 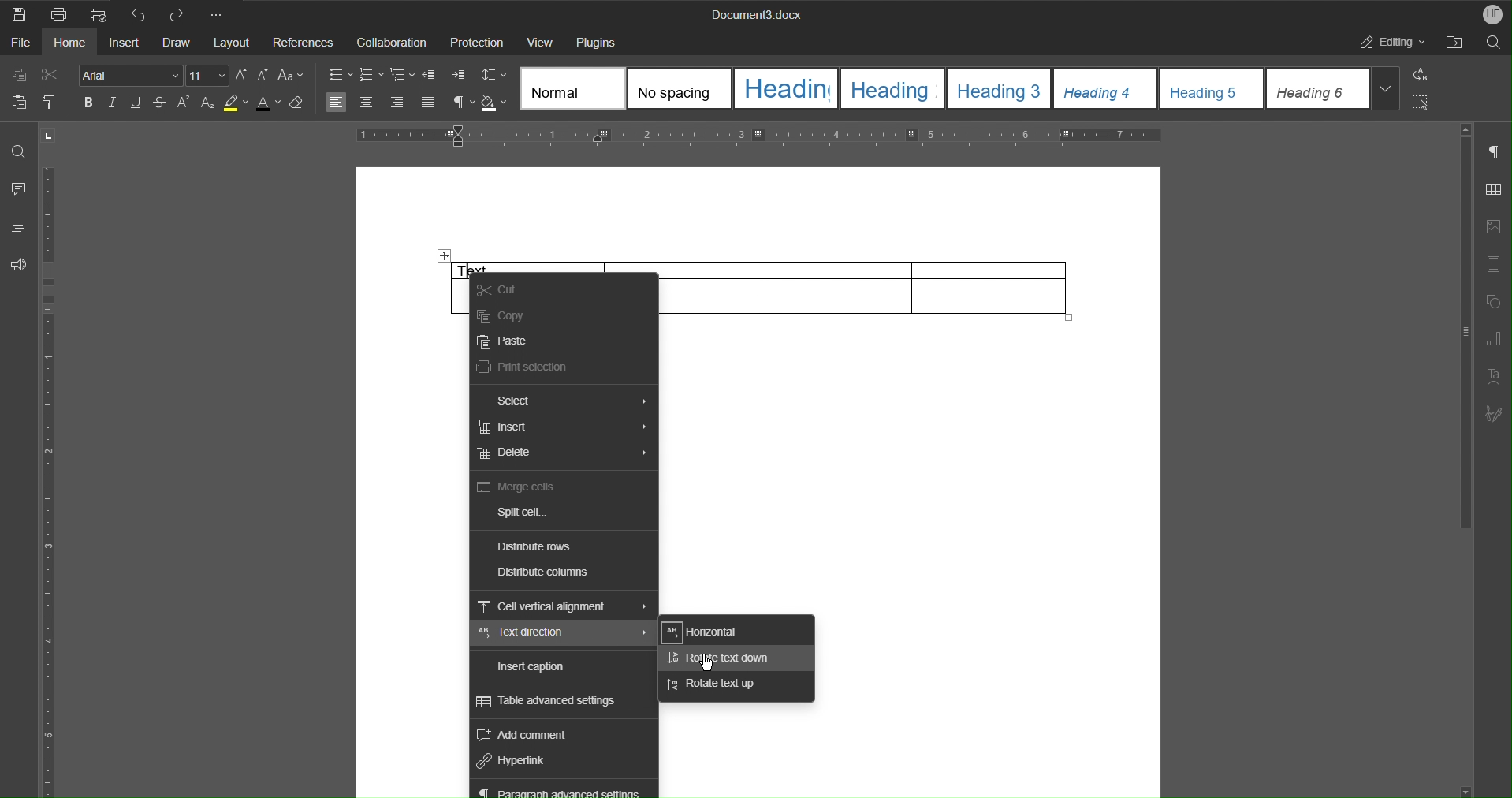 I want to click on Subscript, so click(x=207, y=102).